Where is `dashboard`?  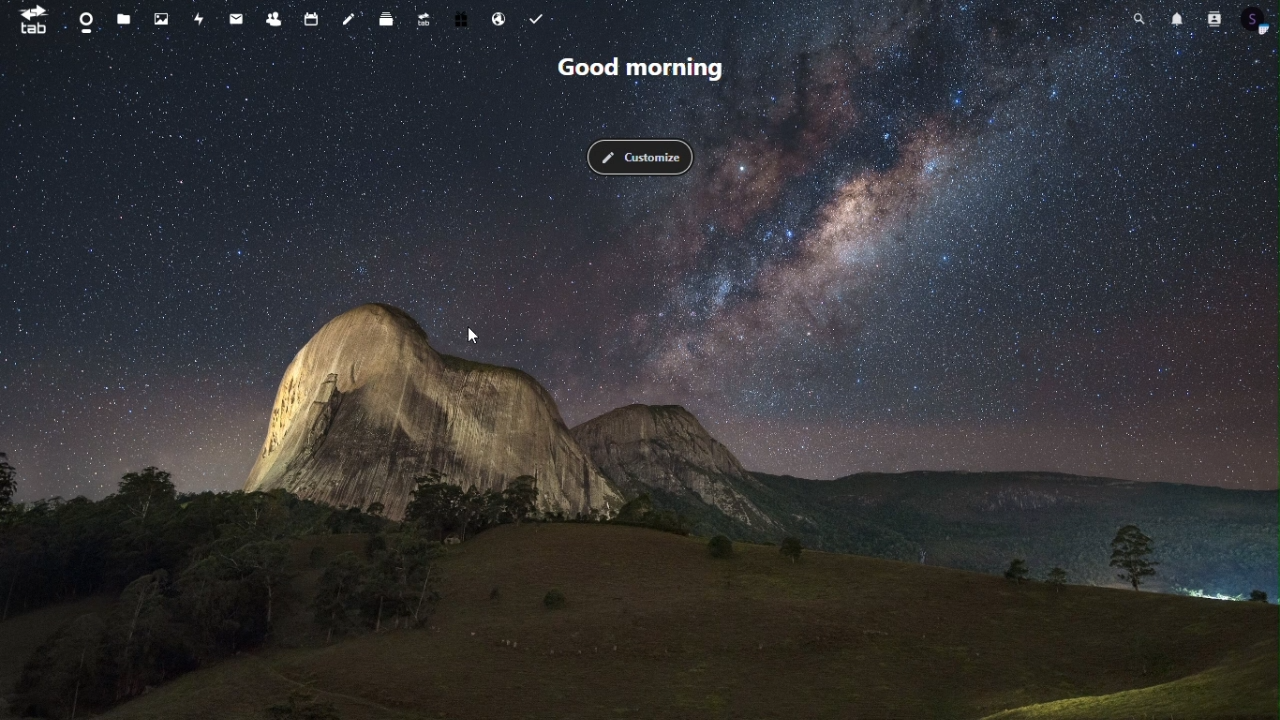 dashboard is located at coordinates (85, 21).